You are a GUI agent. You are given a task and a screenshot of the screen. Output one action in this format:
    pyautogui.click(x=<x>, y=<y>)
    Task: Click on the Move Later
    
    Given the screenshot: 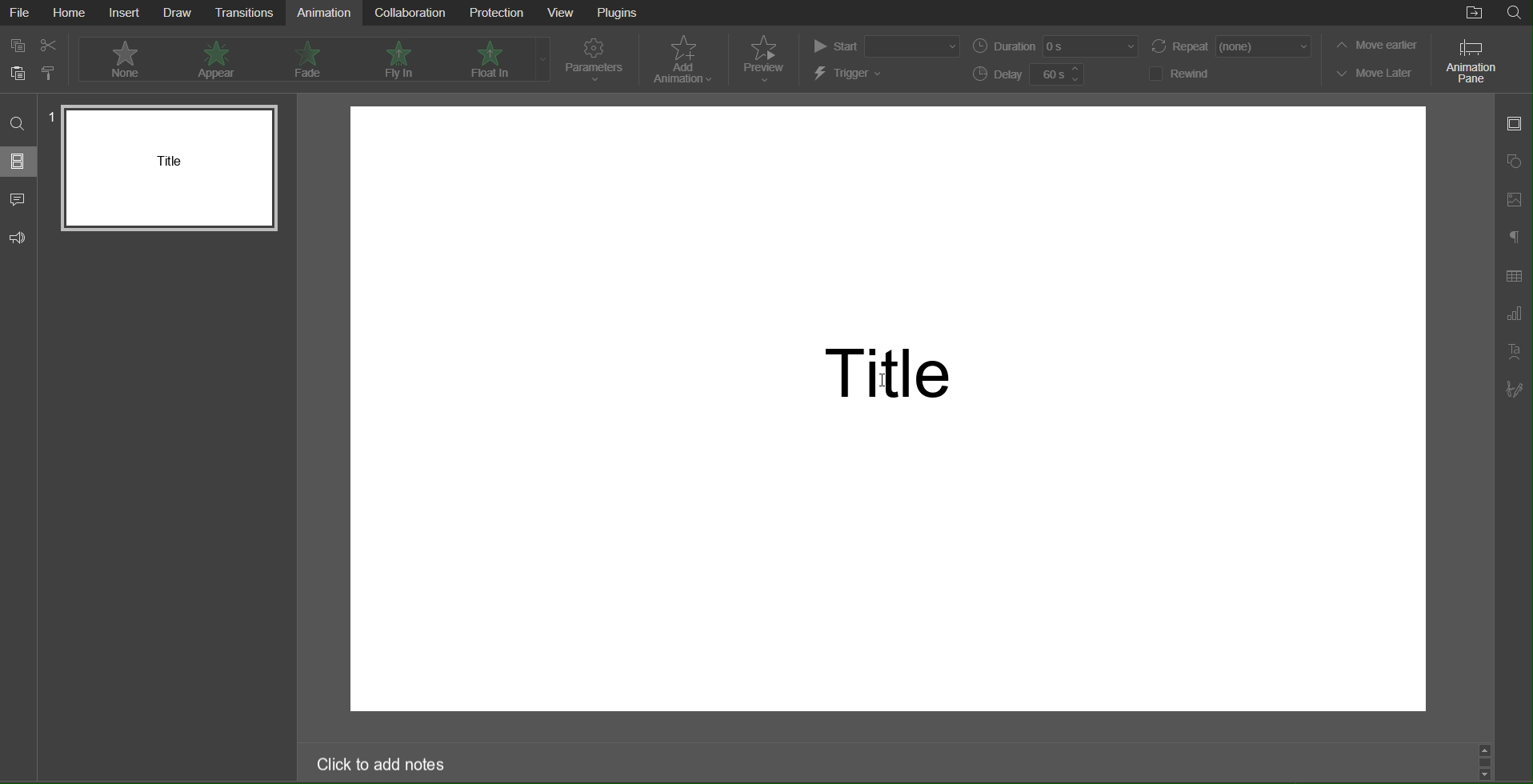 What is the action you would take?
    pyautogui.click(x=1375, y=72)
    